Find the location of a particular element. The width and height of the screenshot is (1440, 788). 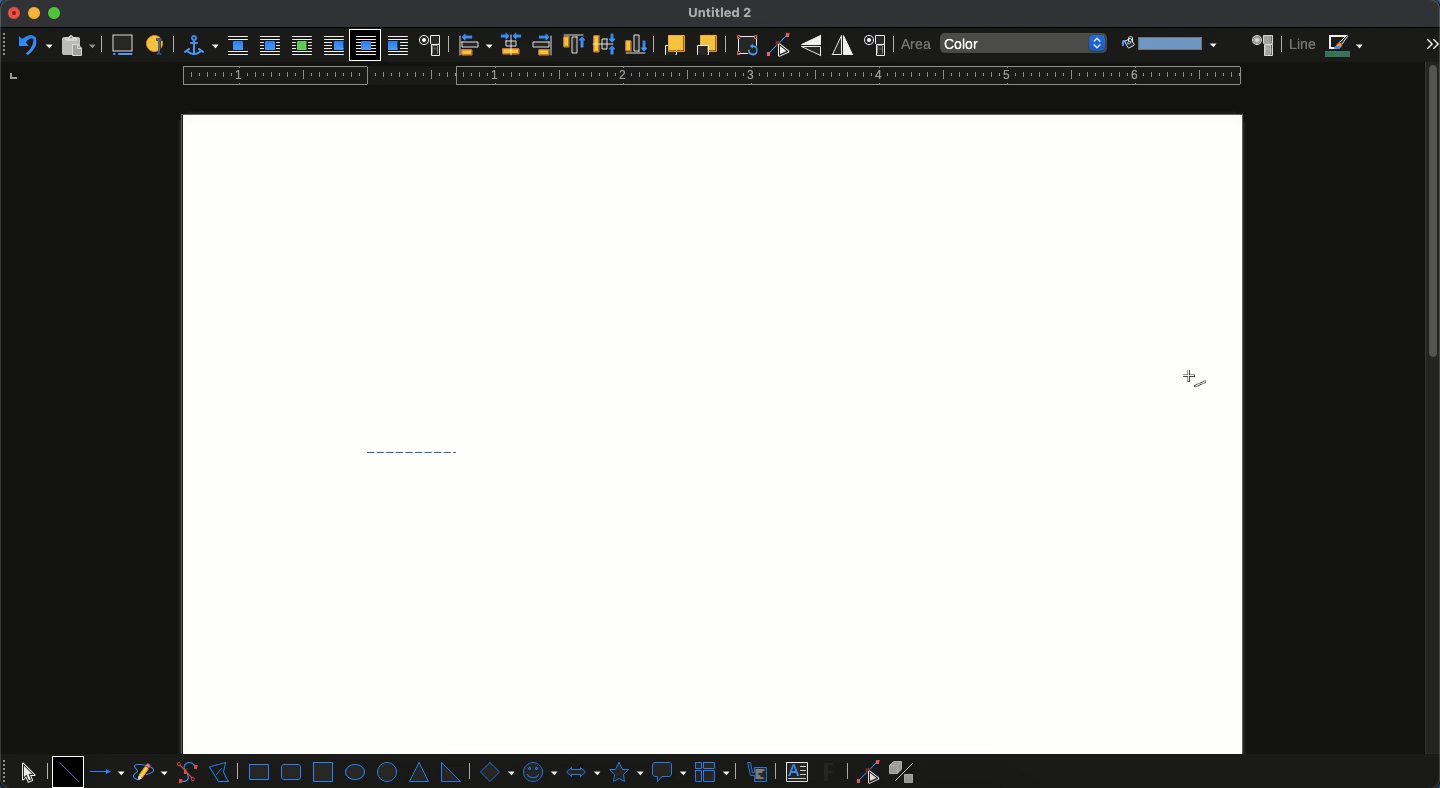

color is located at coordinates (1025, 44).